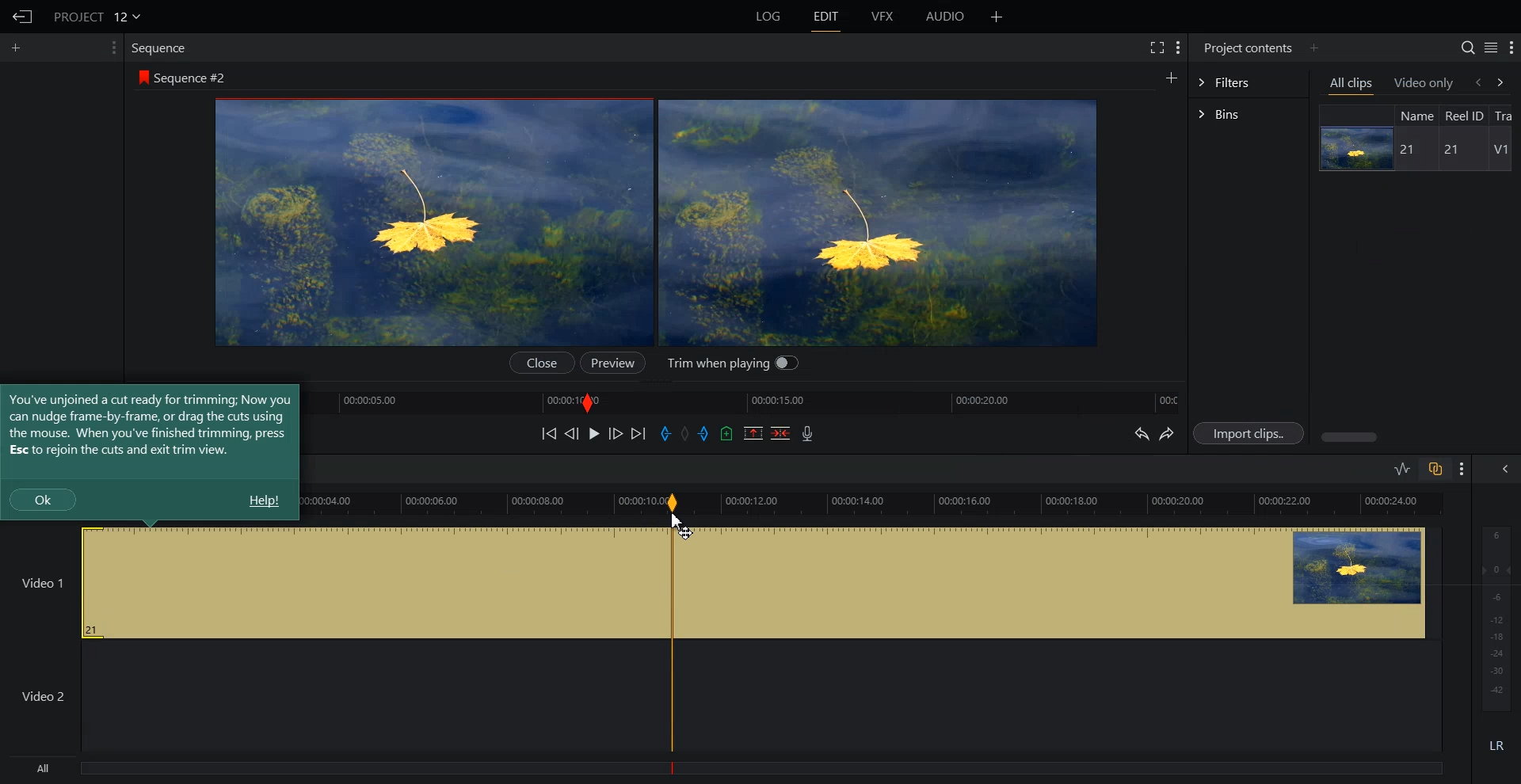  I want to click on AUDIO, so click(944, 17).